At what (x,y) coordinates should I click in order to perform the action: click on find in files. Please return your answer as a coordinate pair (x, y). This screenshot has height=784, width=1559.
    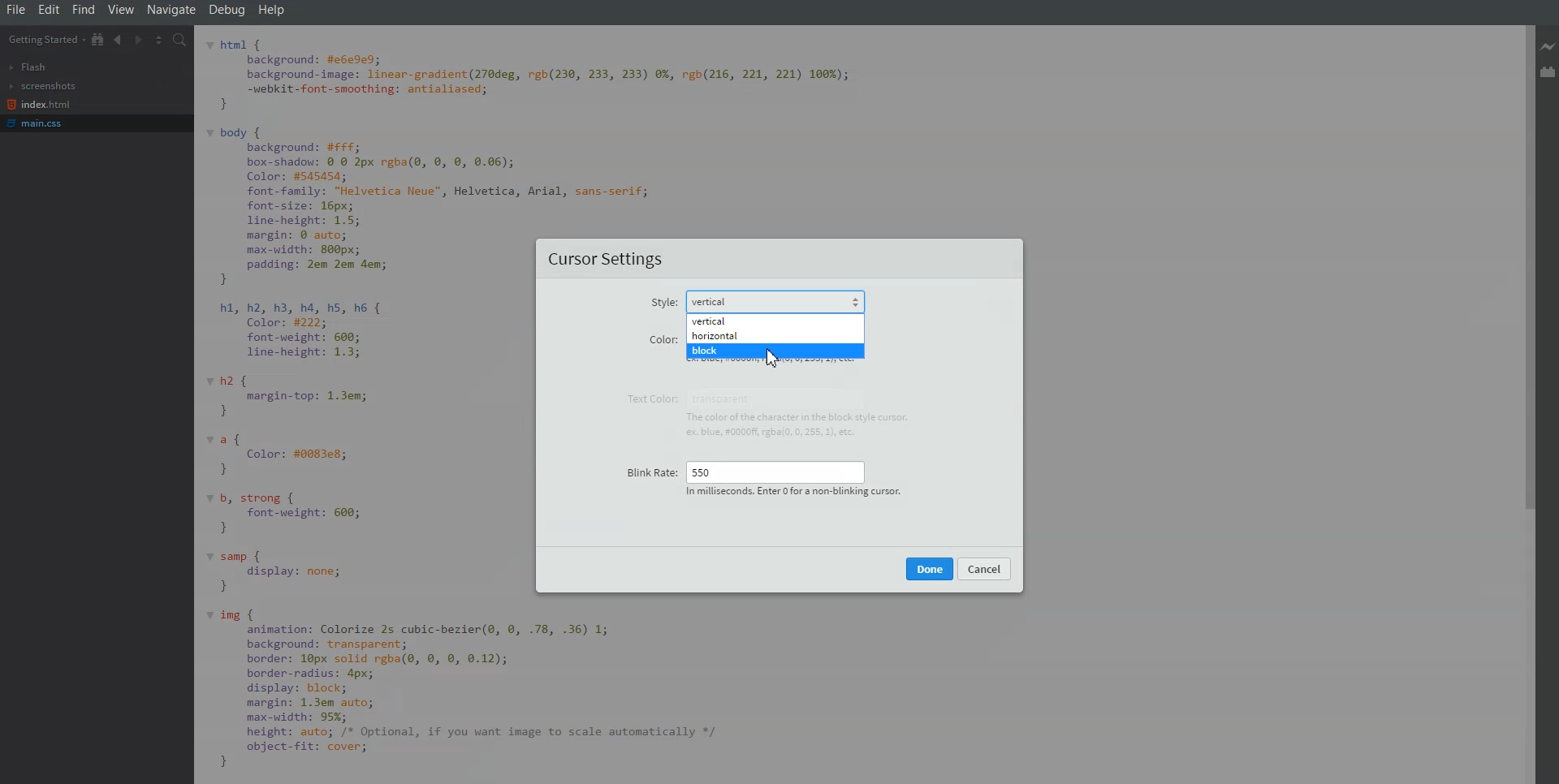
    Looking at the image, I should click on (181, 40).